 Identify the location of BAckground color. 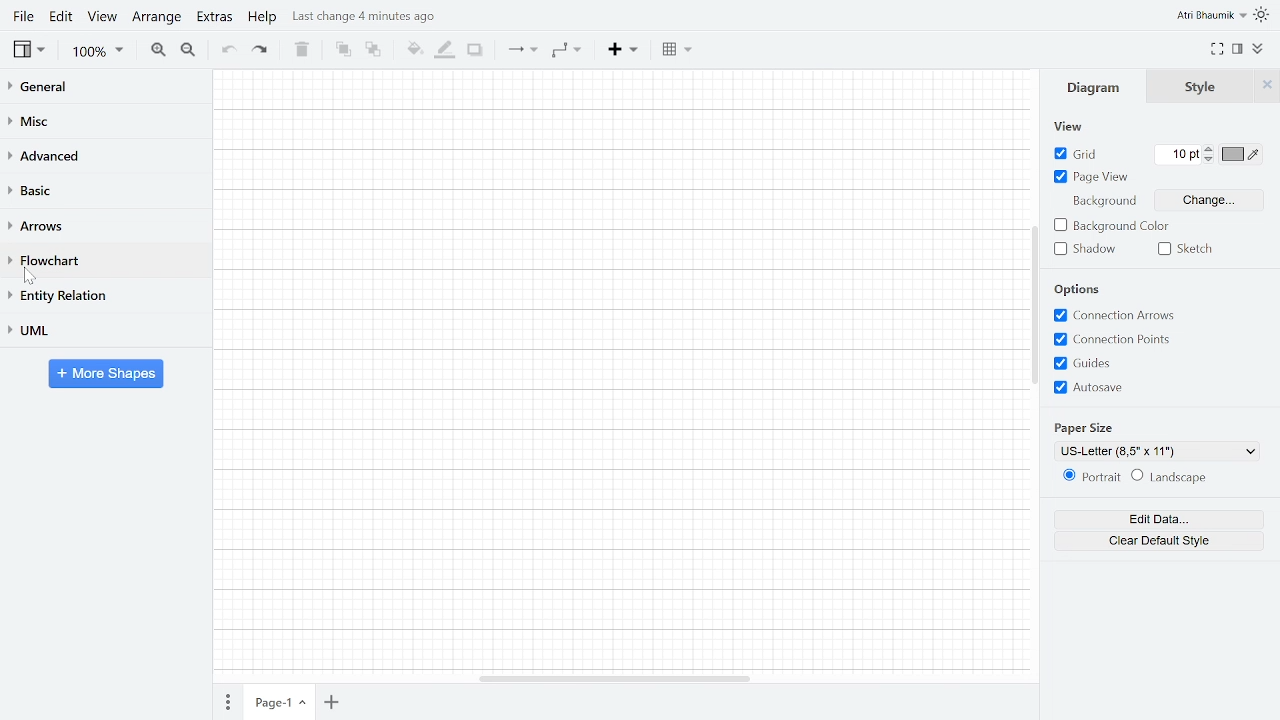
(1110, 226).